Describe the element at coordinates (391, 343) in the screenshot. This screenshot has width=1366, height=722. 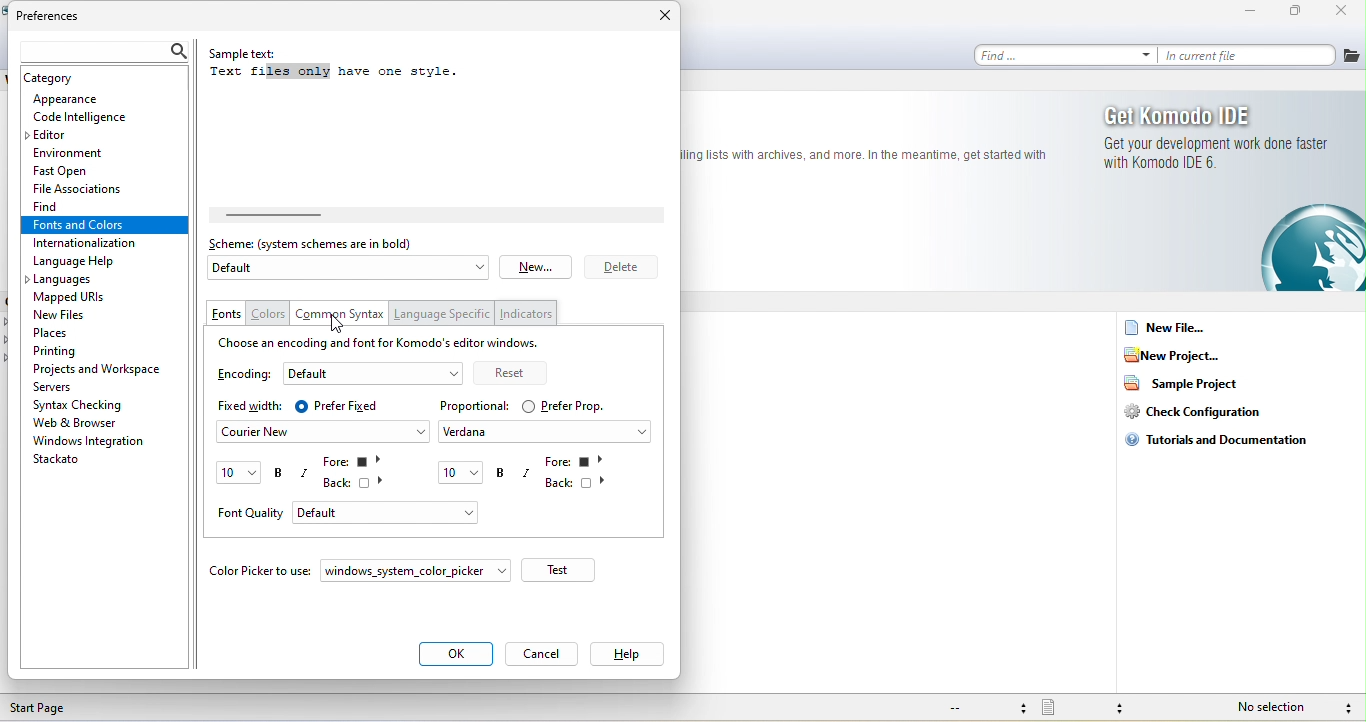
I see `choose an encoding and font for komodo editor windows` at that location.